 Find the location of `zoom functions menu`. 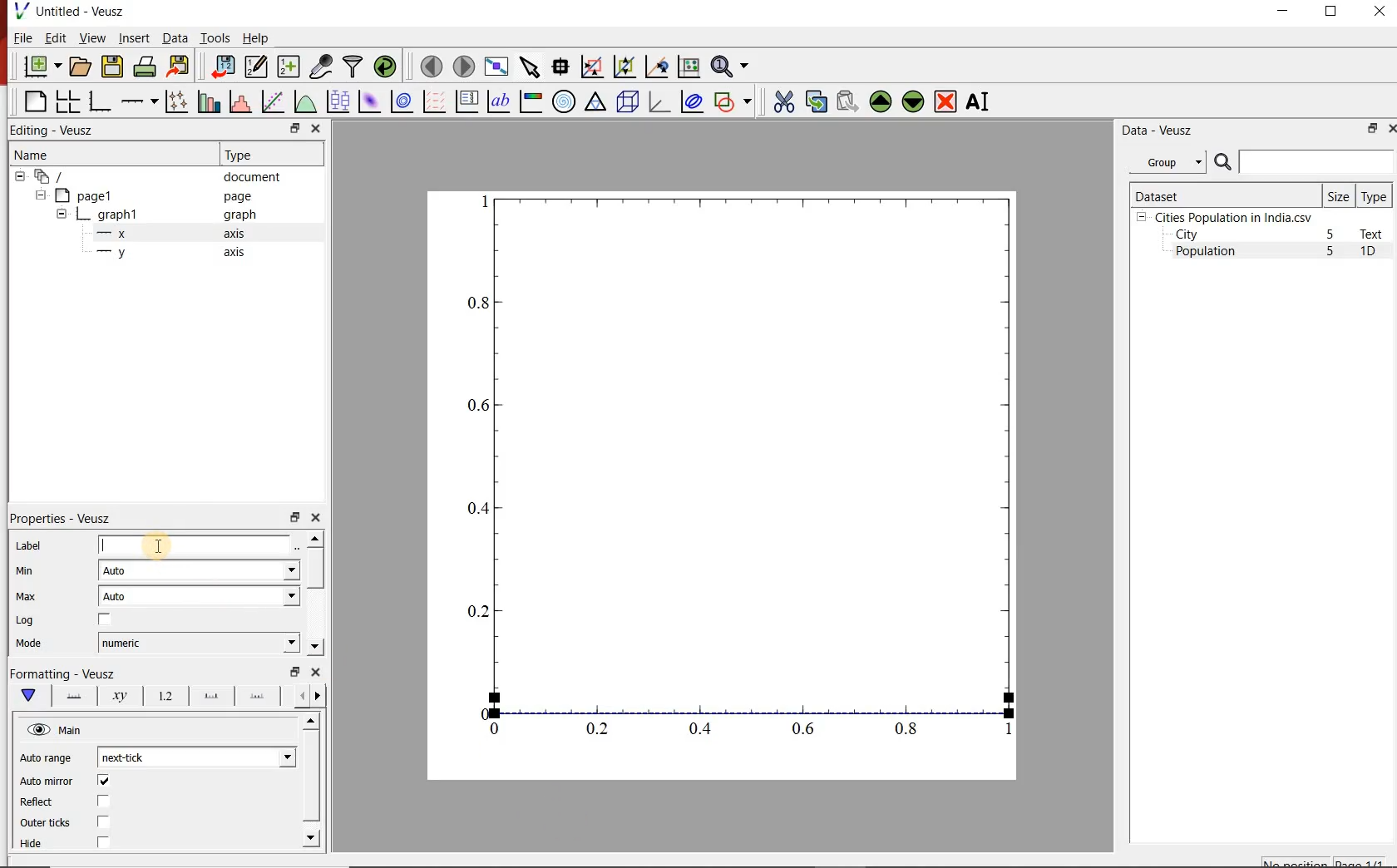

zoom functions menu is located at coordinates (733, 67).